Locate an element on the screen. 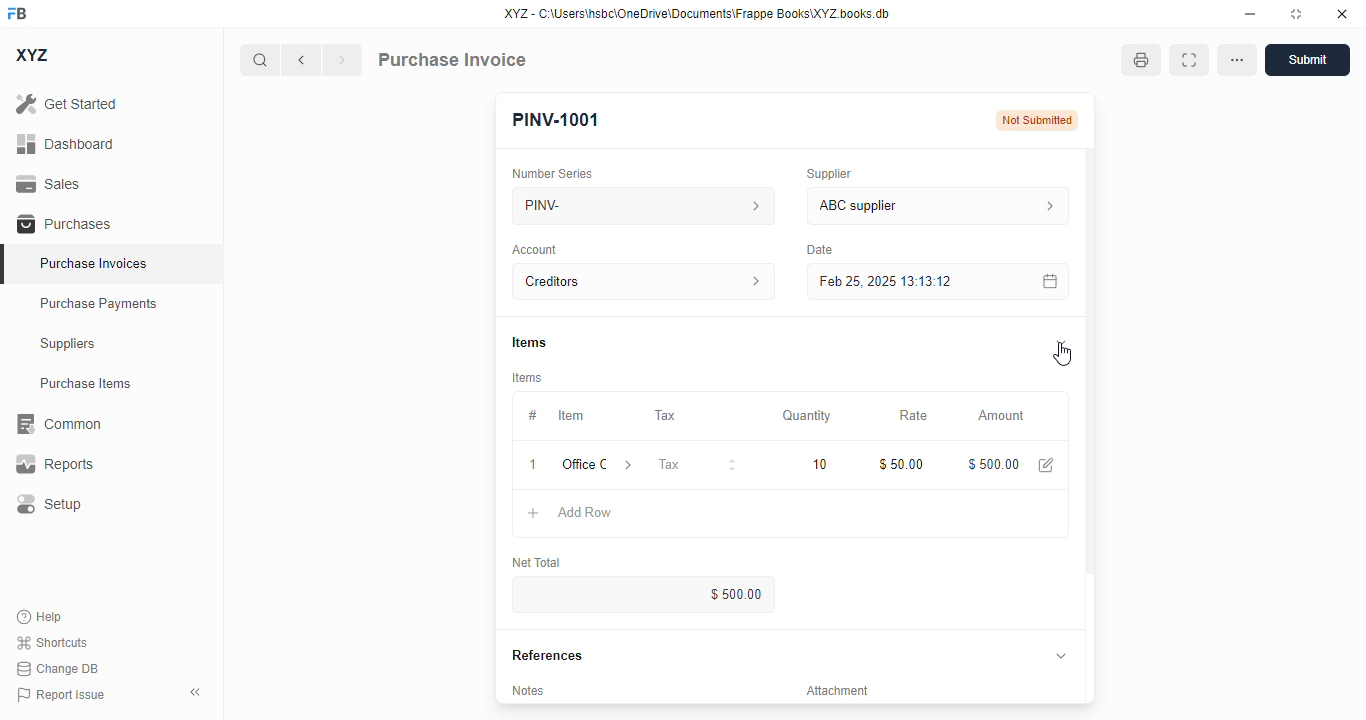 Image resolution: width=1366 pixels, height=720 pixels. next is located at coordinates (342, 60).